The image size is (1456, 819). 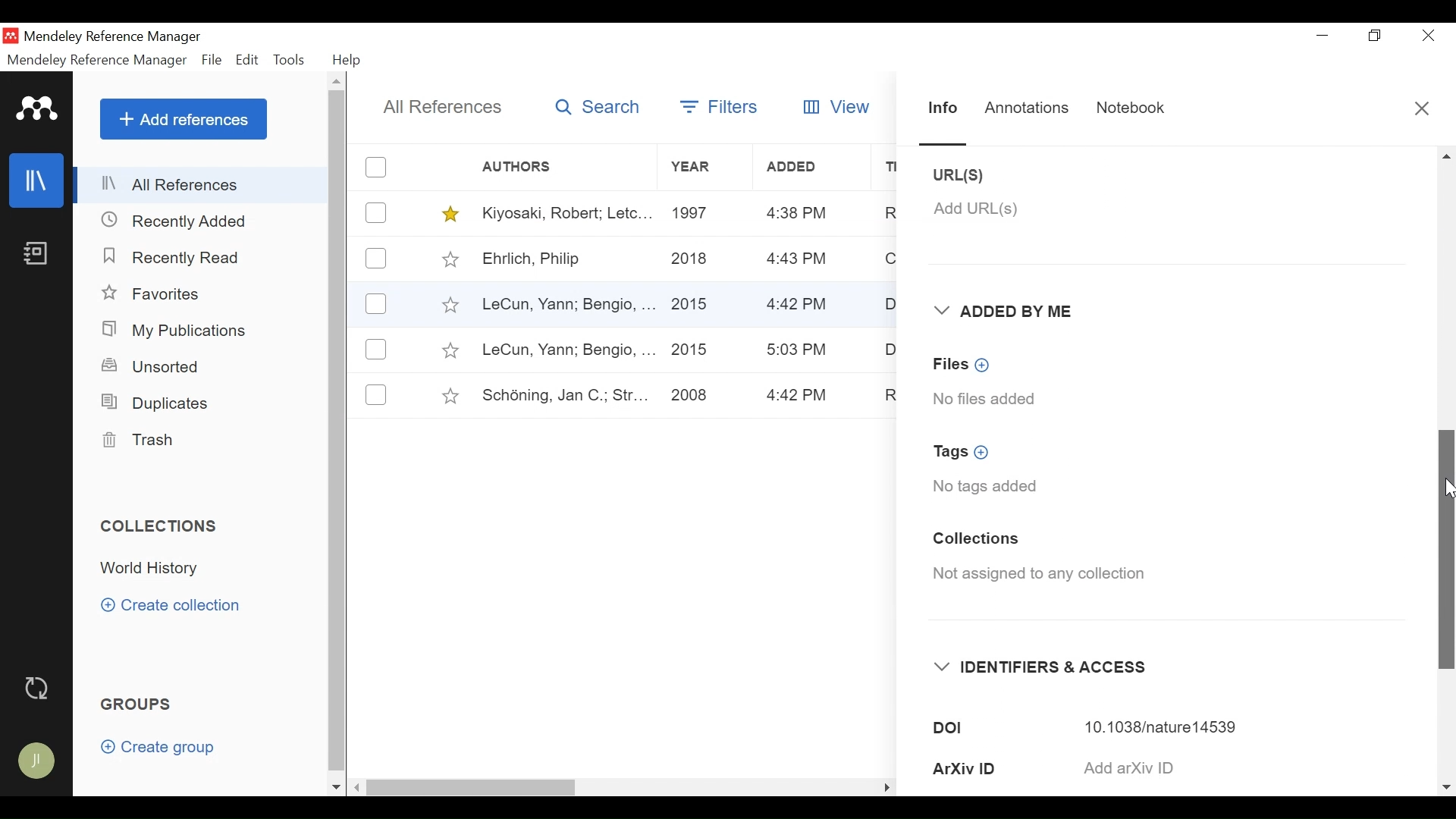 What do you see at coordinates (38, 180) in the screenshot?
I see `Library` at bounding box center [38, 180].